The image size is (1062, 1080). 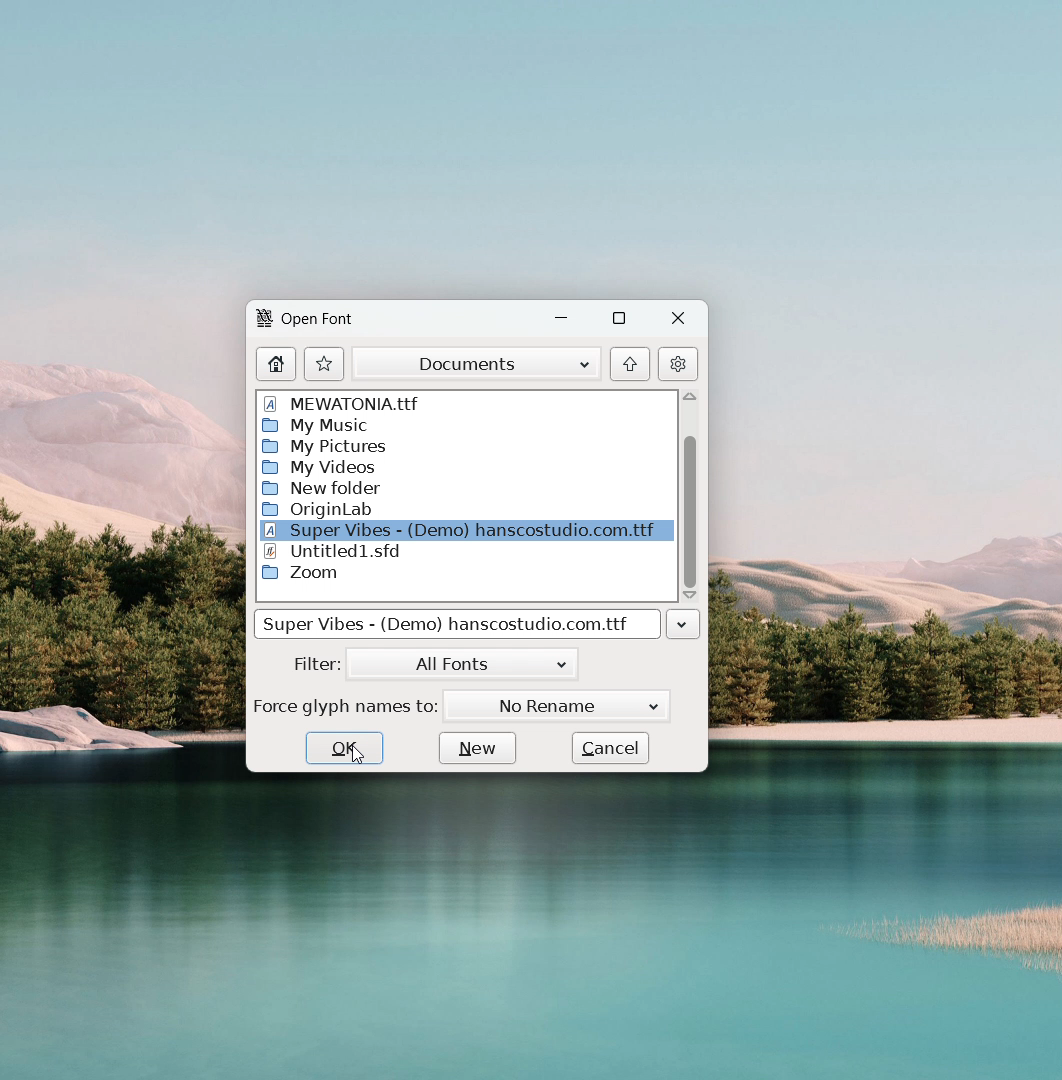 What do you see at coordinates (677, 321) in the screenshot?
I see `close` at bounding box center [677, 321].